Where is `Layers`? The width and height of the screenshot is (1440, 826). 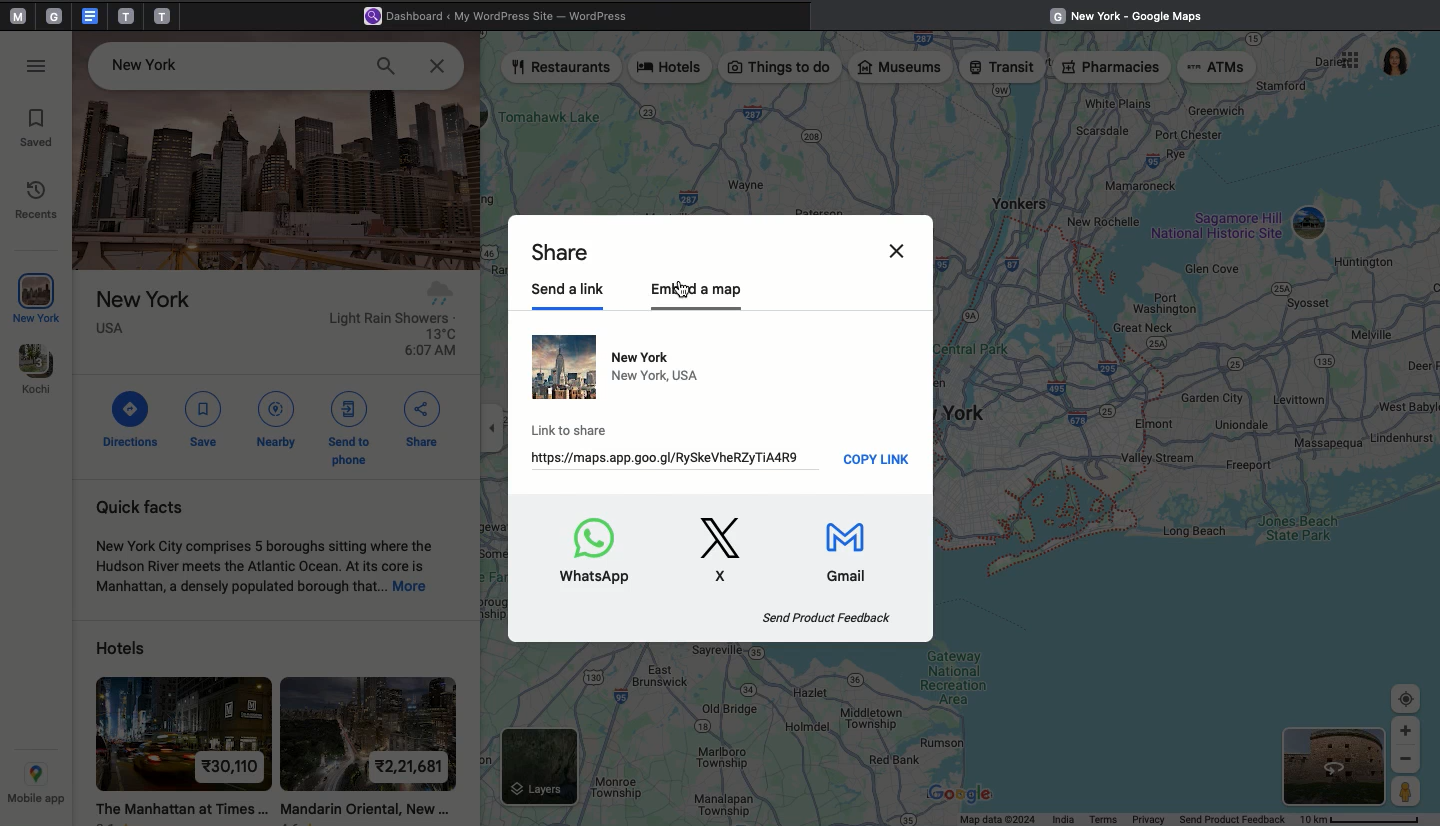 Layers is located at coordinates (538, 765).